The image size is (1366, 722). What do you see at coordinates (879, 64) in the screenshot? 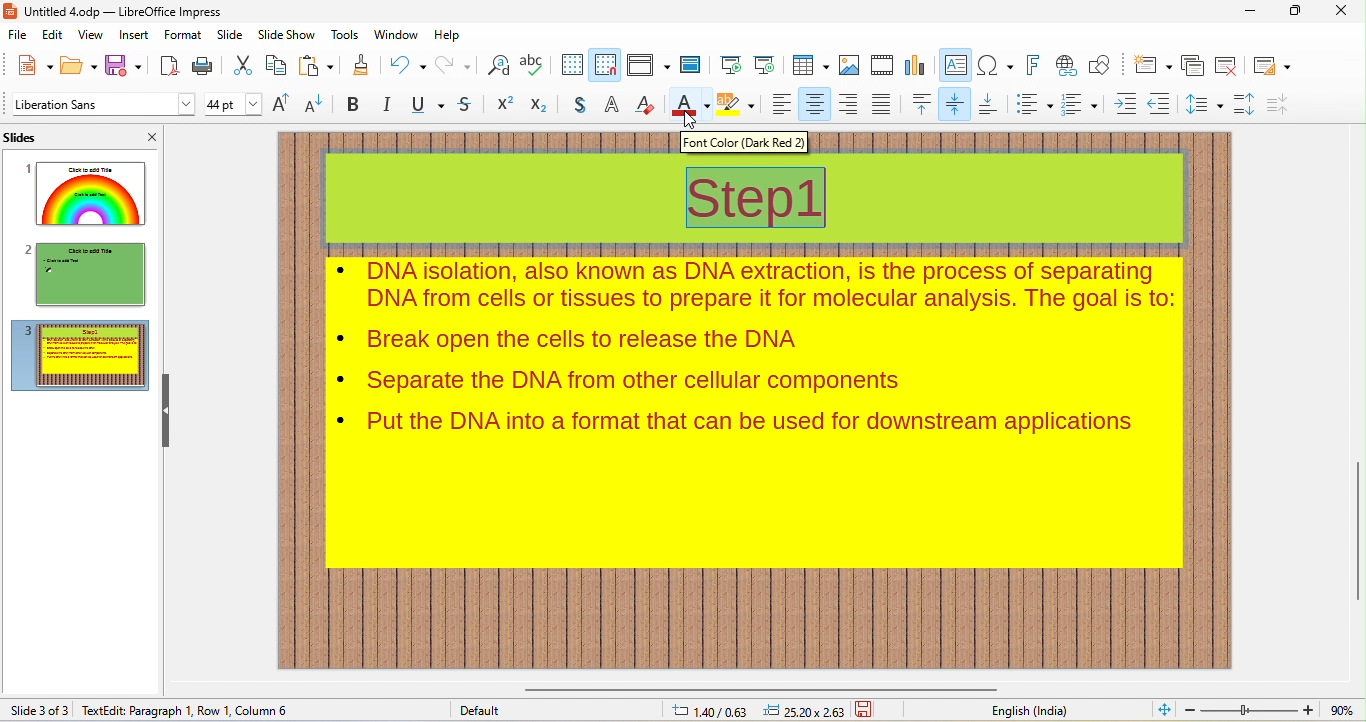
I see `media` at bounding box center [879, 64].